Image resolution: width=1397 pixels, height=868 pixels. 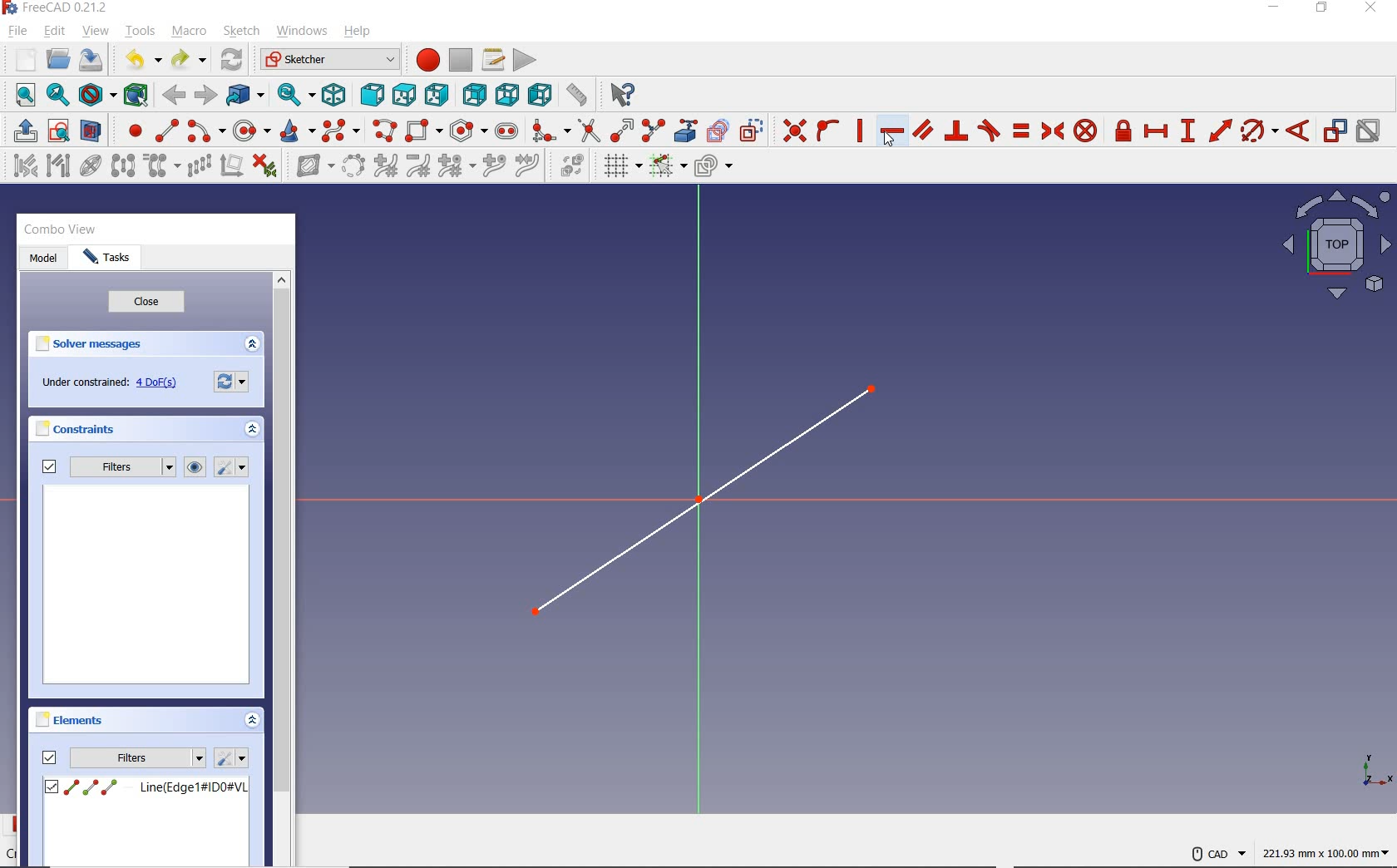 I want to click on COMBO VIEW, so click(x=63, y=230).